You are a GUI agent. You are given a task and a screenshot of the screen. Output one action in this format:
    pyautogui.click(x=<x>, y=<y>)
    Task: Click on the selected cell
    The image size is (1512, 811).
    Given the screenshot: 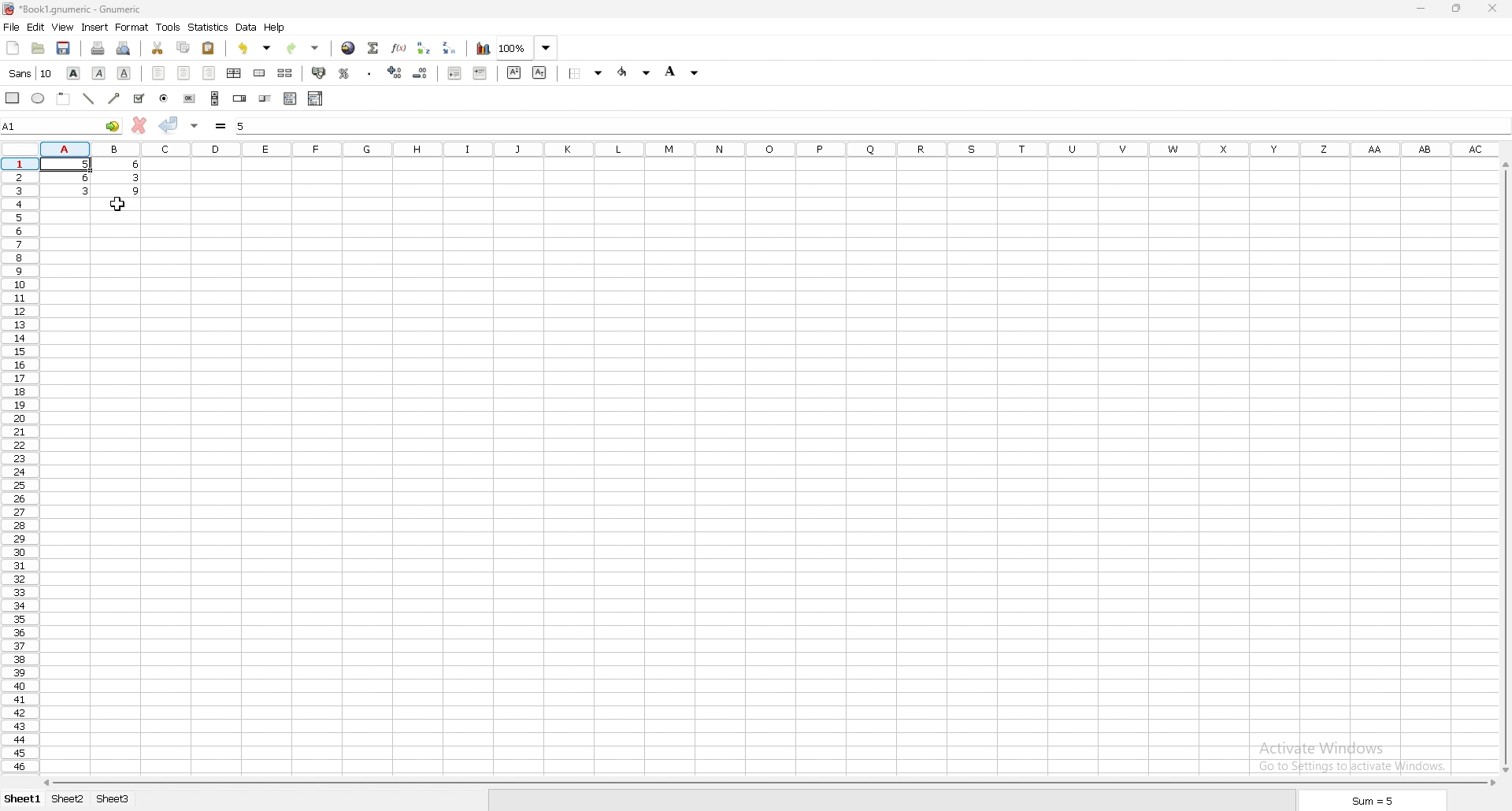 What is the action you would take?
    pyautogui.click(x=62, y=125)
    